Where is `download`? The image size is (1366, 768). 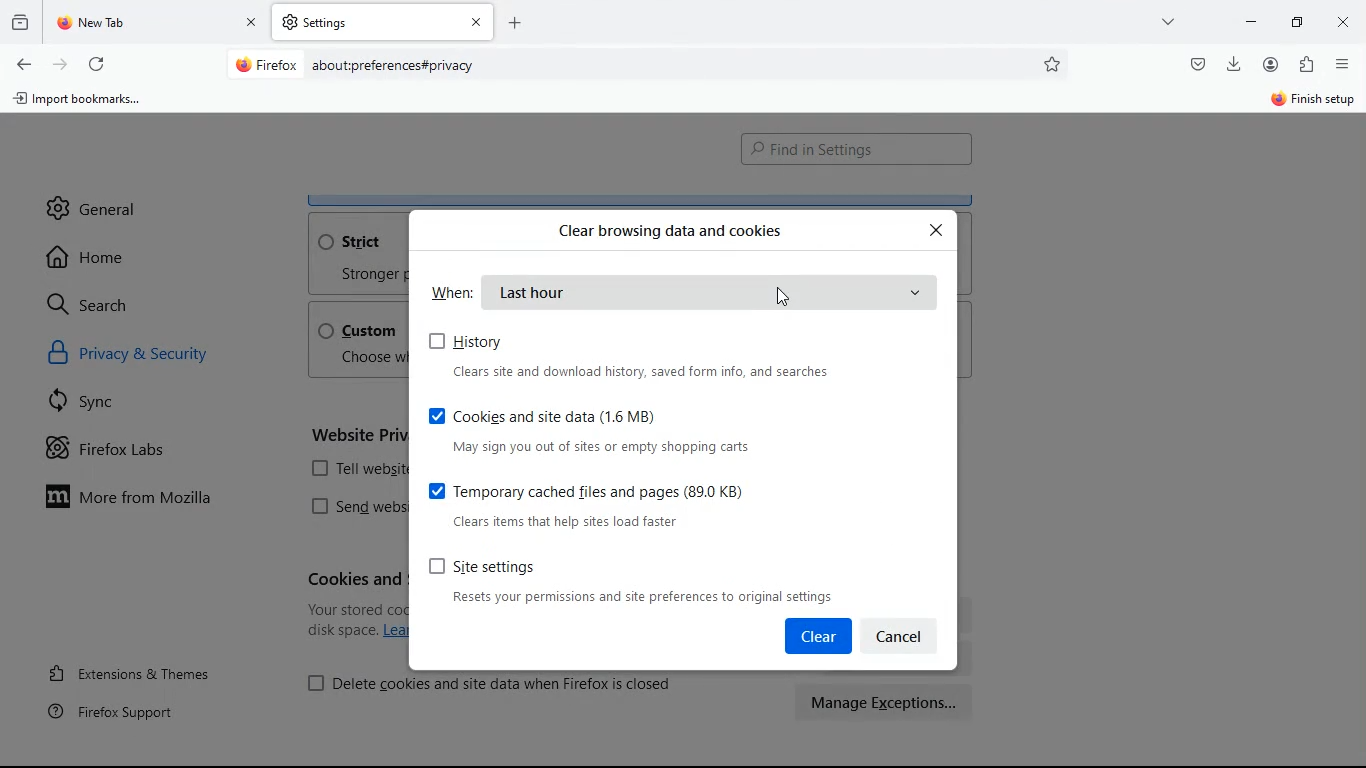 download is located at coordinates (1234, 62).